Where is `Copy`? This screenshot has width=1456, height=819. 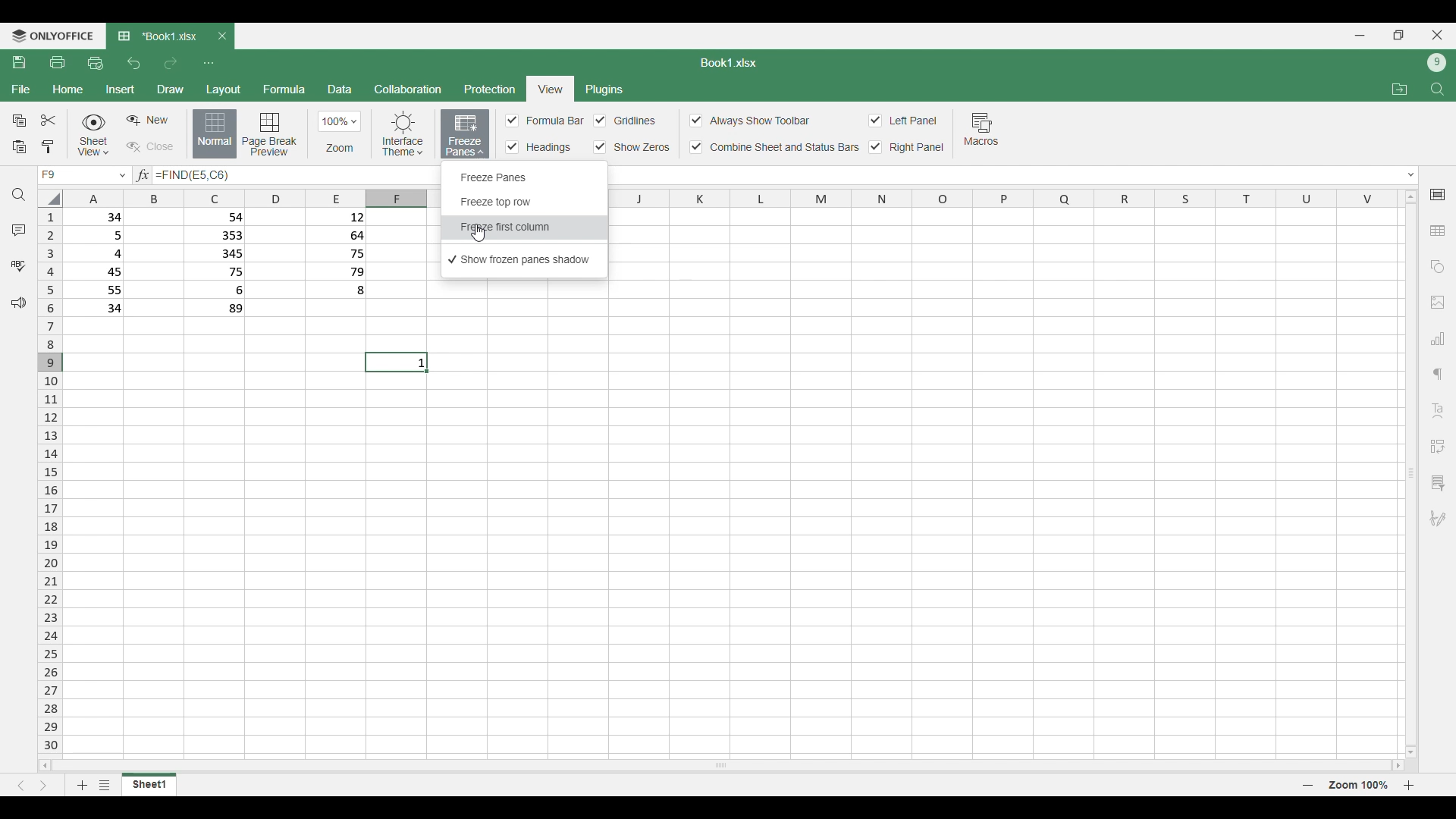 Copy is located at coordinates (19, 121).